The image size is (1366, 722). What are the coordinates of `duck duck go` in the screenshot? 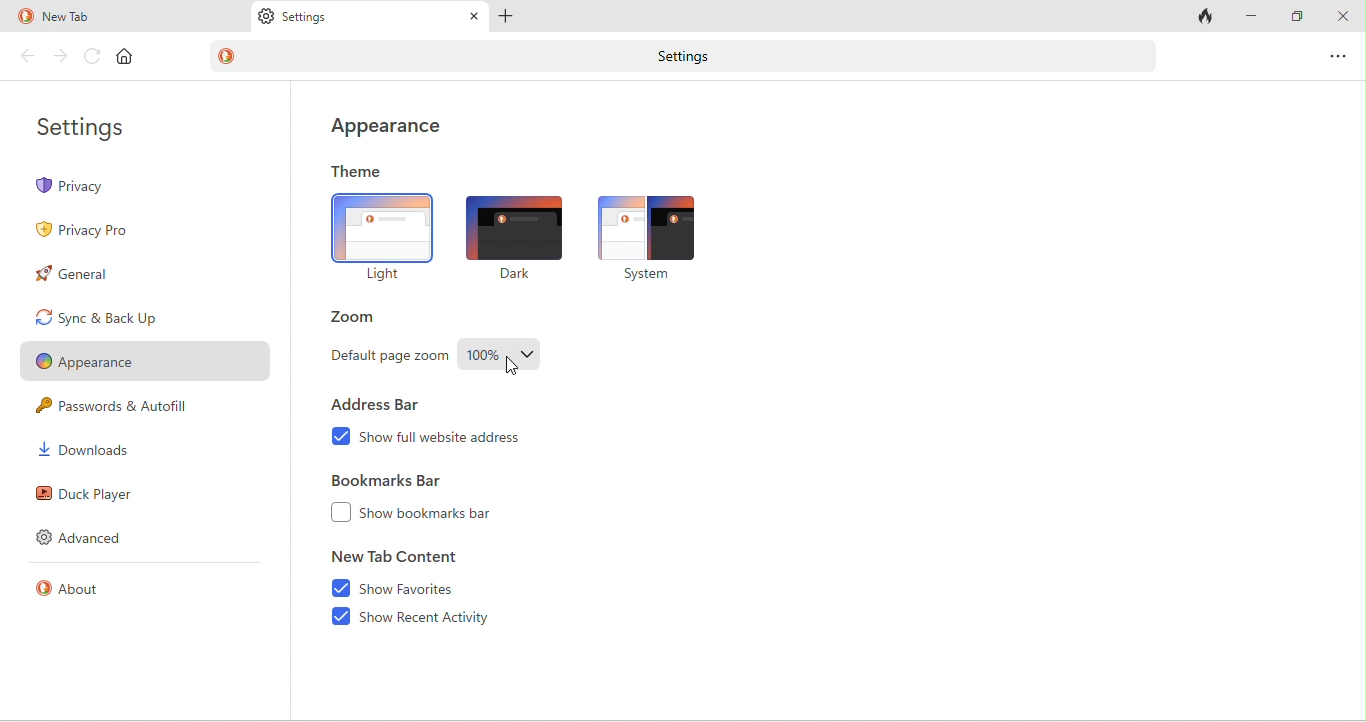 It's located at (24, 17).